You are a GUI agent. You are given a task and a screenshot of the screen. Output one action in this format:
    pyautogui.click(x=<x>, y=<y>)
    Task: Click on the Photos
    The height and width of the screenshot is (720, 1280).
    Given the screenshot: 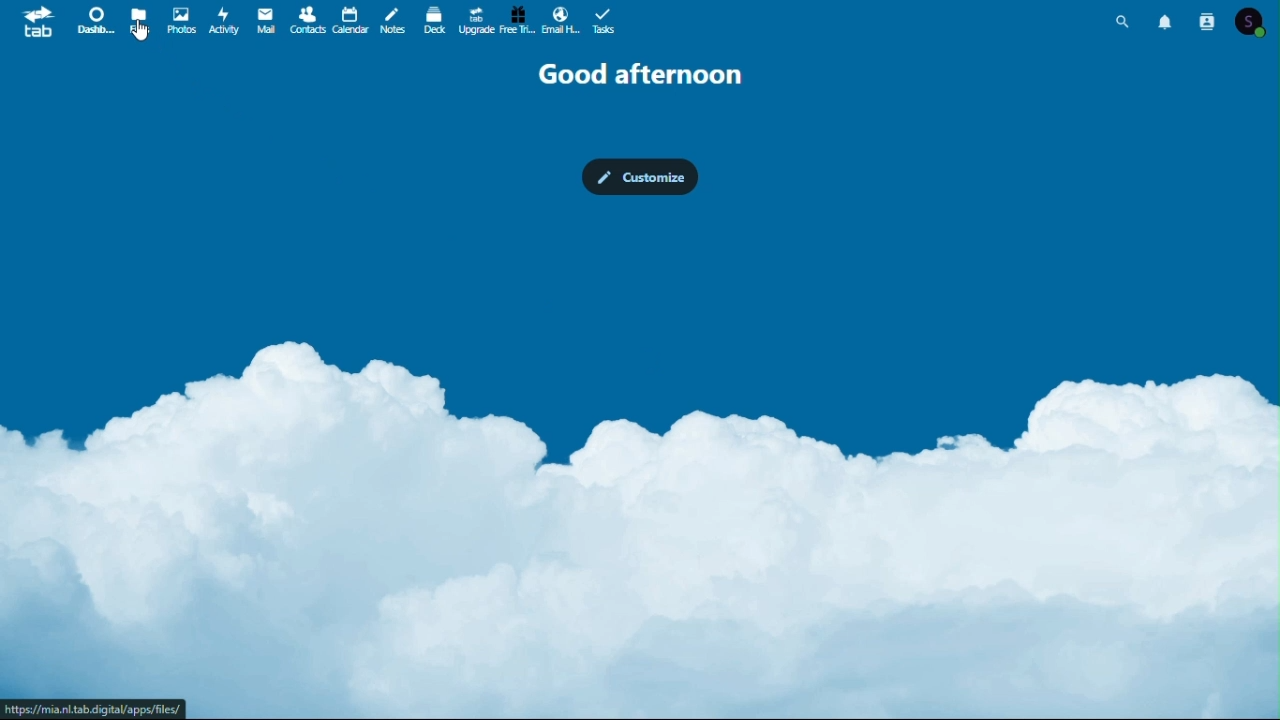 What is the action you would take?
    pyautogui.click(x=181, y=22)
    